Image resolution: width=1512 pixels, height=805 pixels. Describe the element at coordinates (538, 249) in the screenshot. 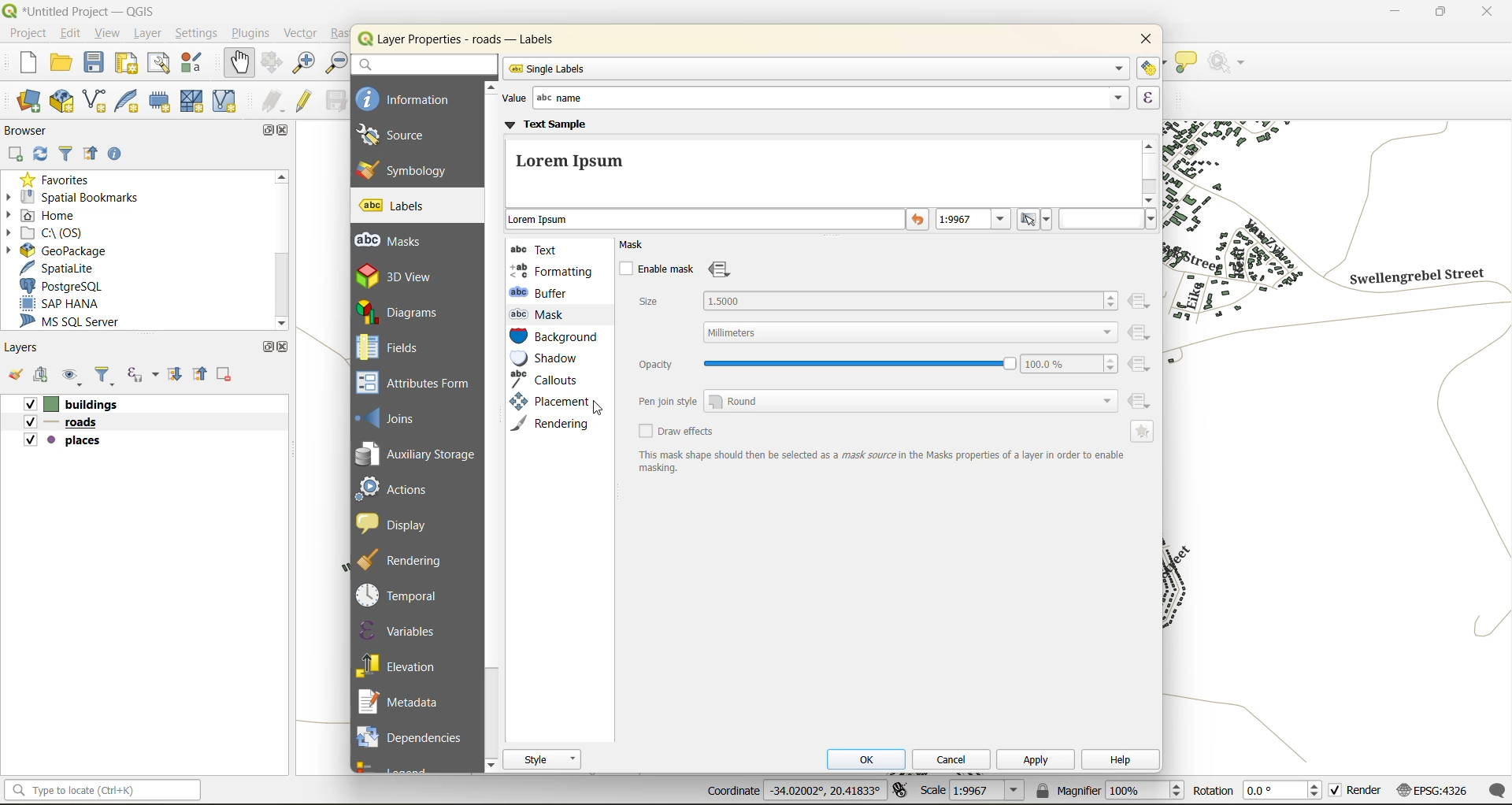

I see `text` at that location.